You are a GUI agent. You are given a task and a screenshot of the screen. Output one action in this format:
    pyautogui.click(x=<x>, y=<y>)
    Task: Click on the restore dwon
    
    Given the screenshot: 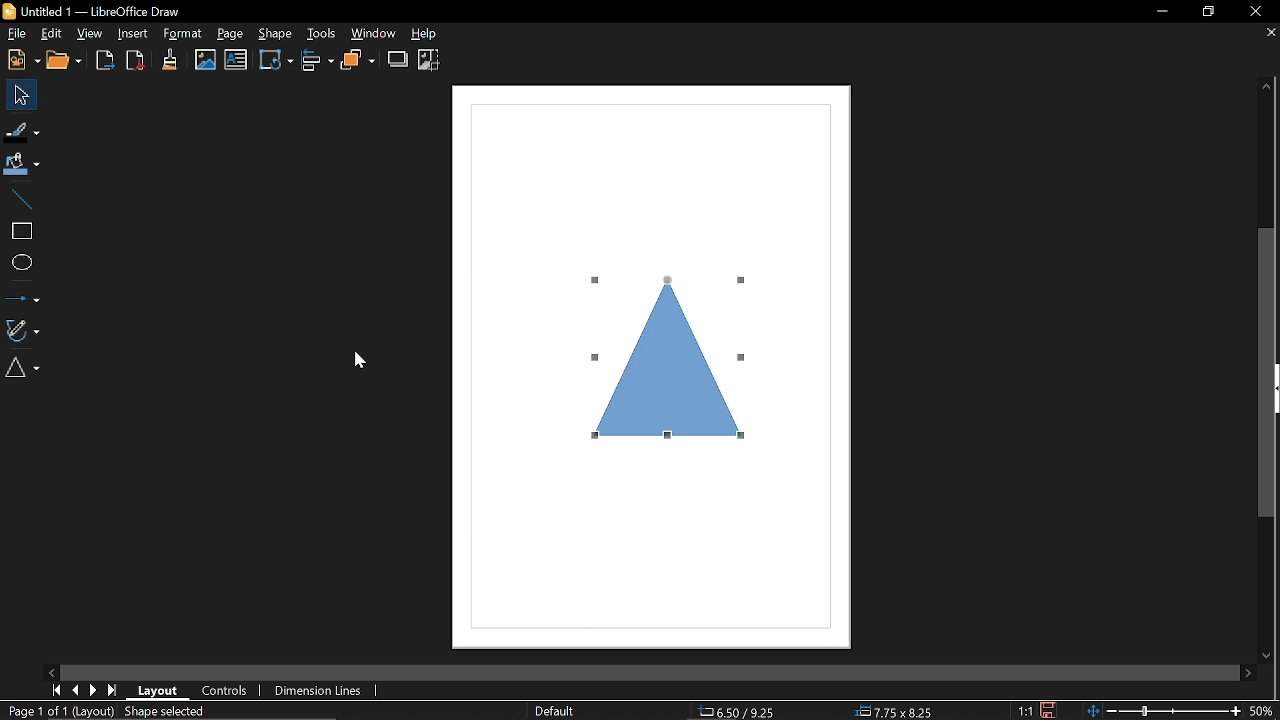 What is the action you would take?
    pyautogui.click(x=1209, y=13)
    